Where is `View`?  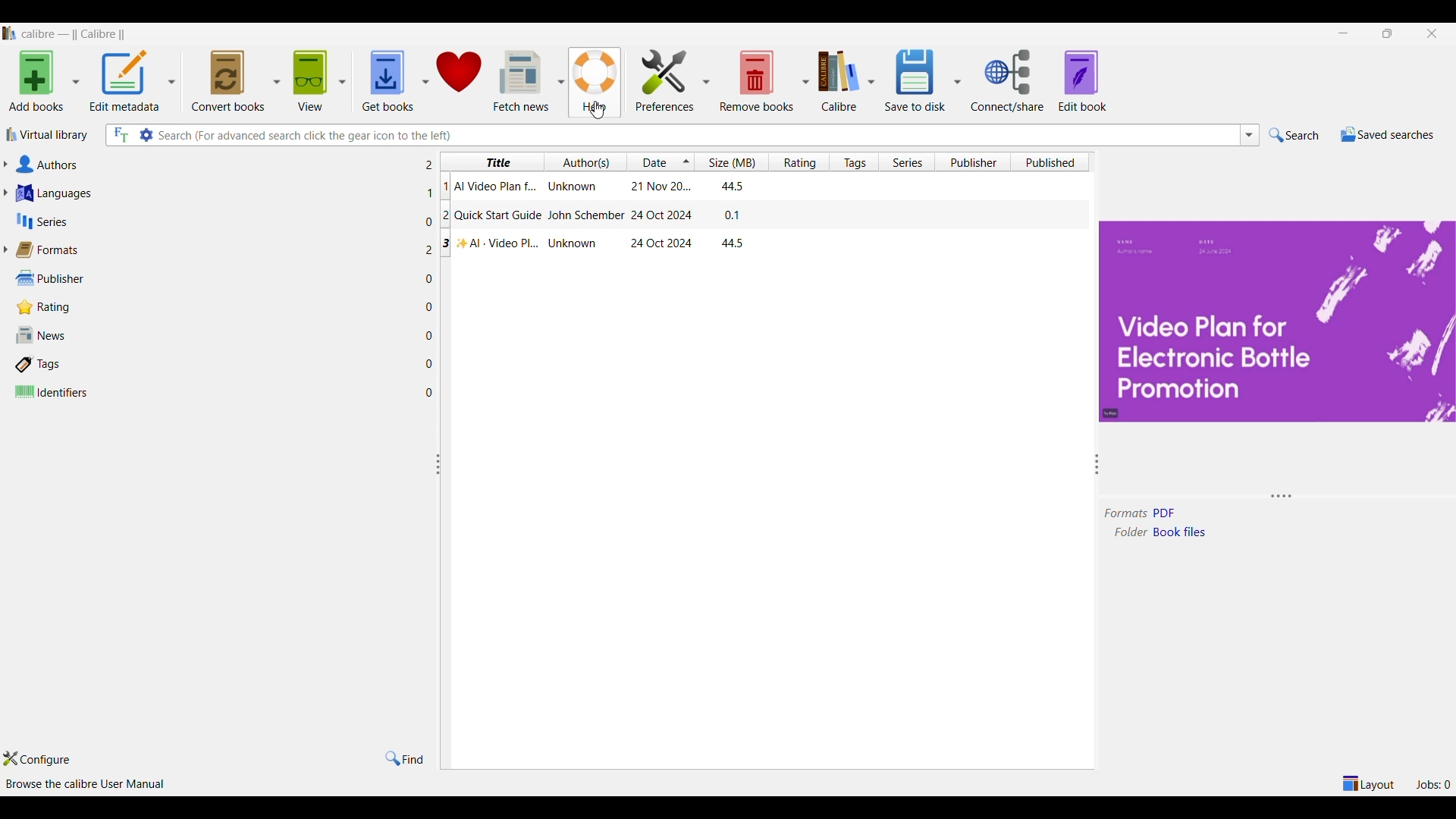
View is located at coordinates (309, 81).